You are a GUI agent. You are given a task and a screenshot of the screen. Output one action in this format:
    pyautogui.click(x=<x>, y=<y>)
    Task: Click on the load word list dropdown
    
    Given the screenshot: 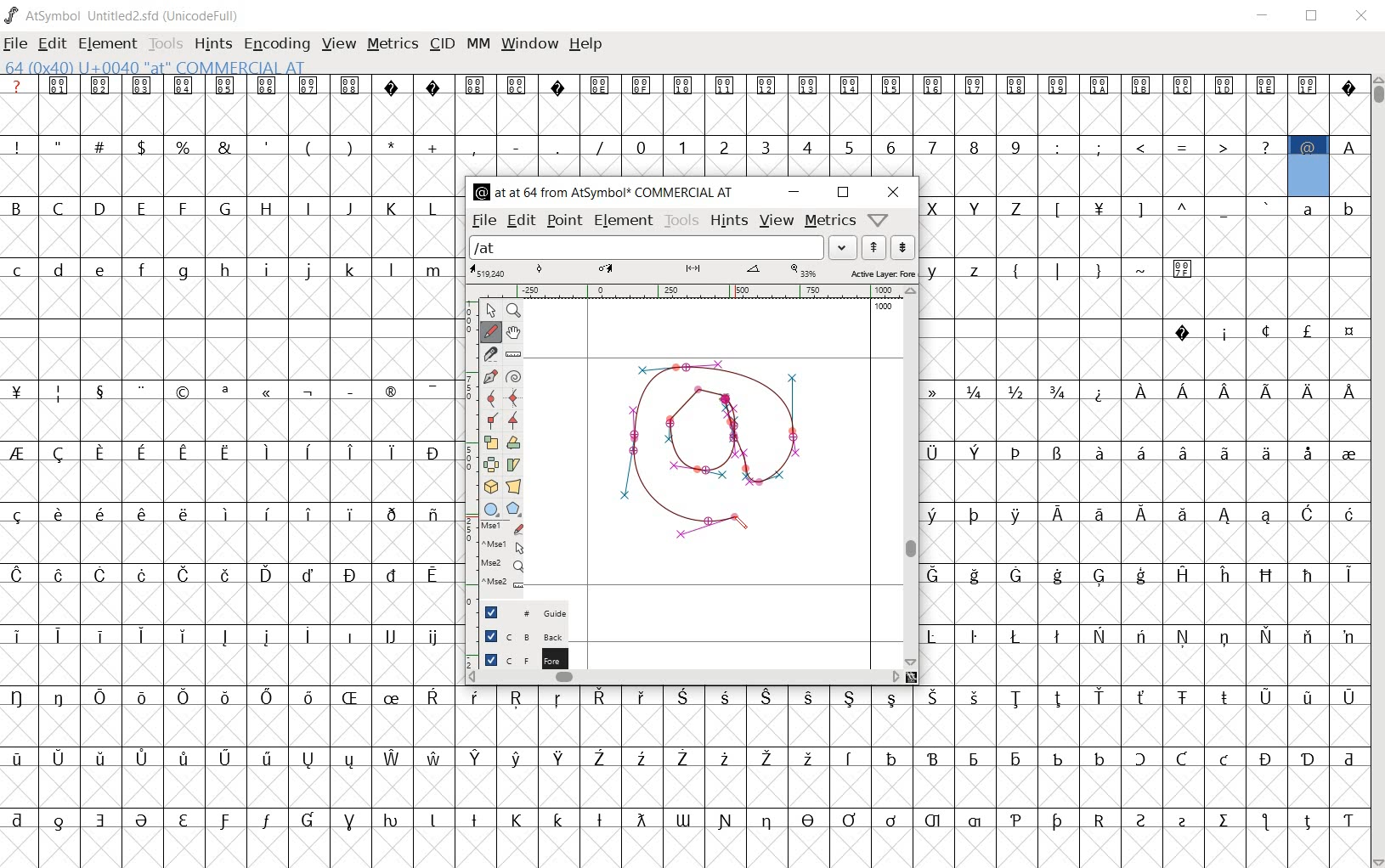 What is the action you would take?
    pyautogui.click(x=845, y=247)
    